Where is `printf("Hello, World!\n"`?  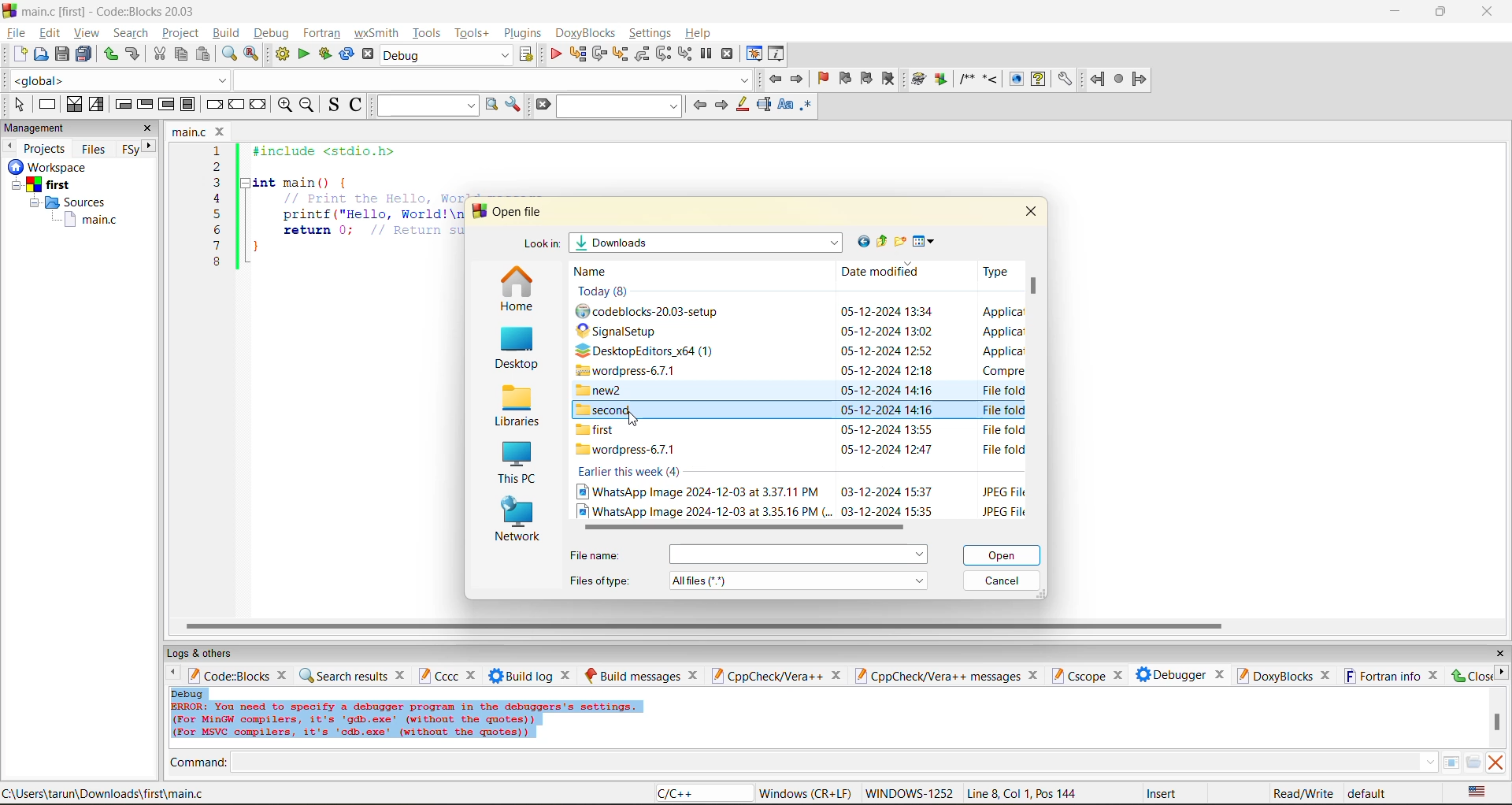
printf("Hello, World!\n" is located at coordinates (372, 214).